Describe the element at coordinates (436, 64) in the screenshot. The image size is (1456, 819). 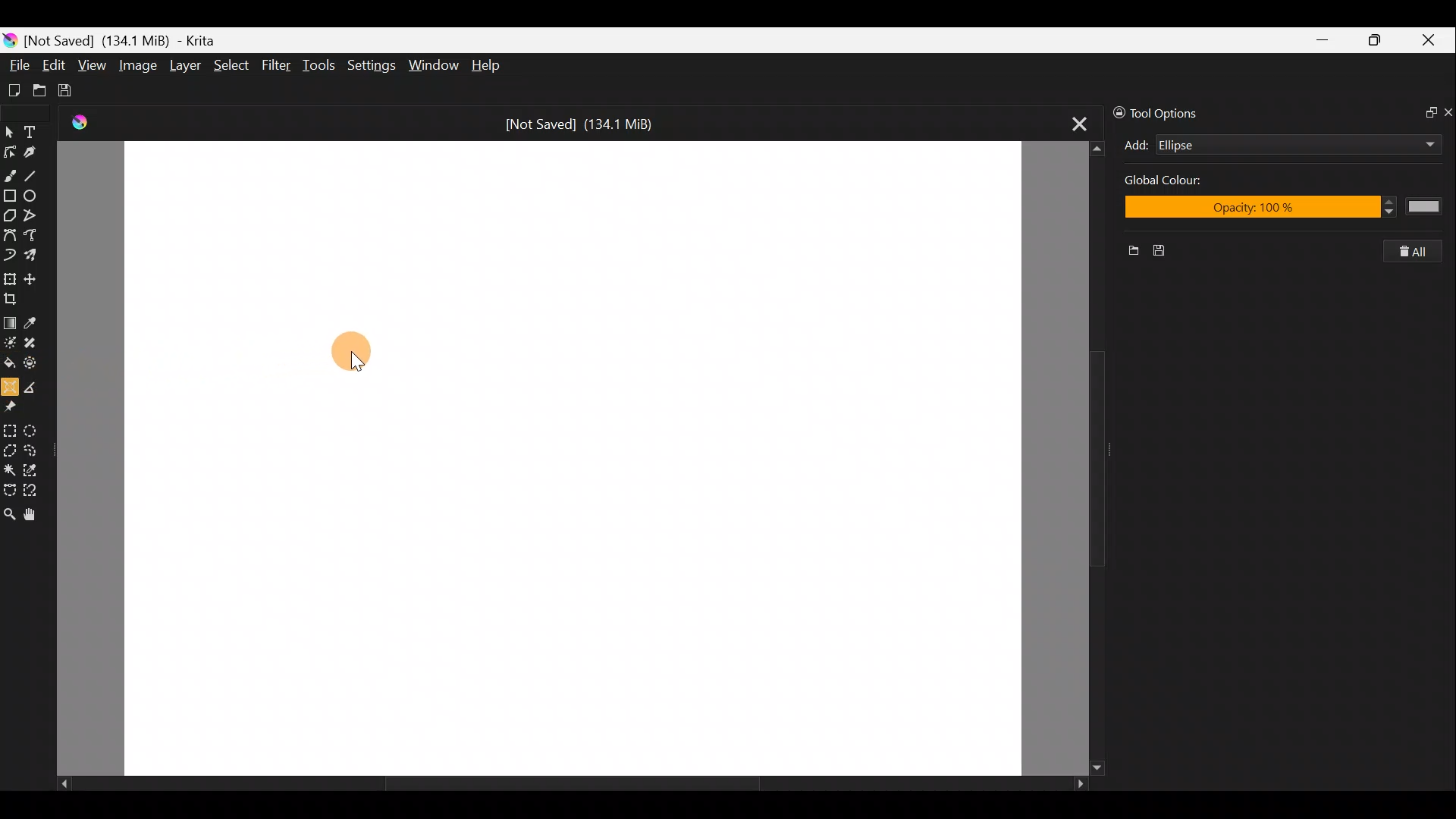
I see `Window` at that location.